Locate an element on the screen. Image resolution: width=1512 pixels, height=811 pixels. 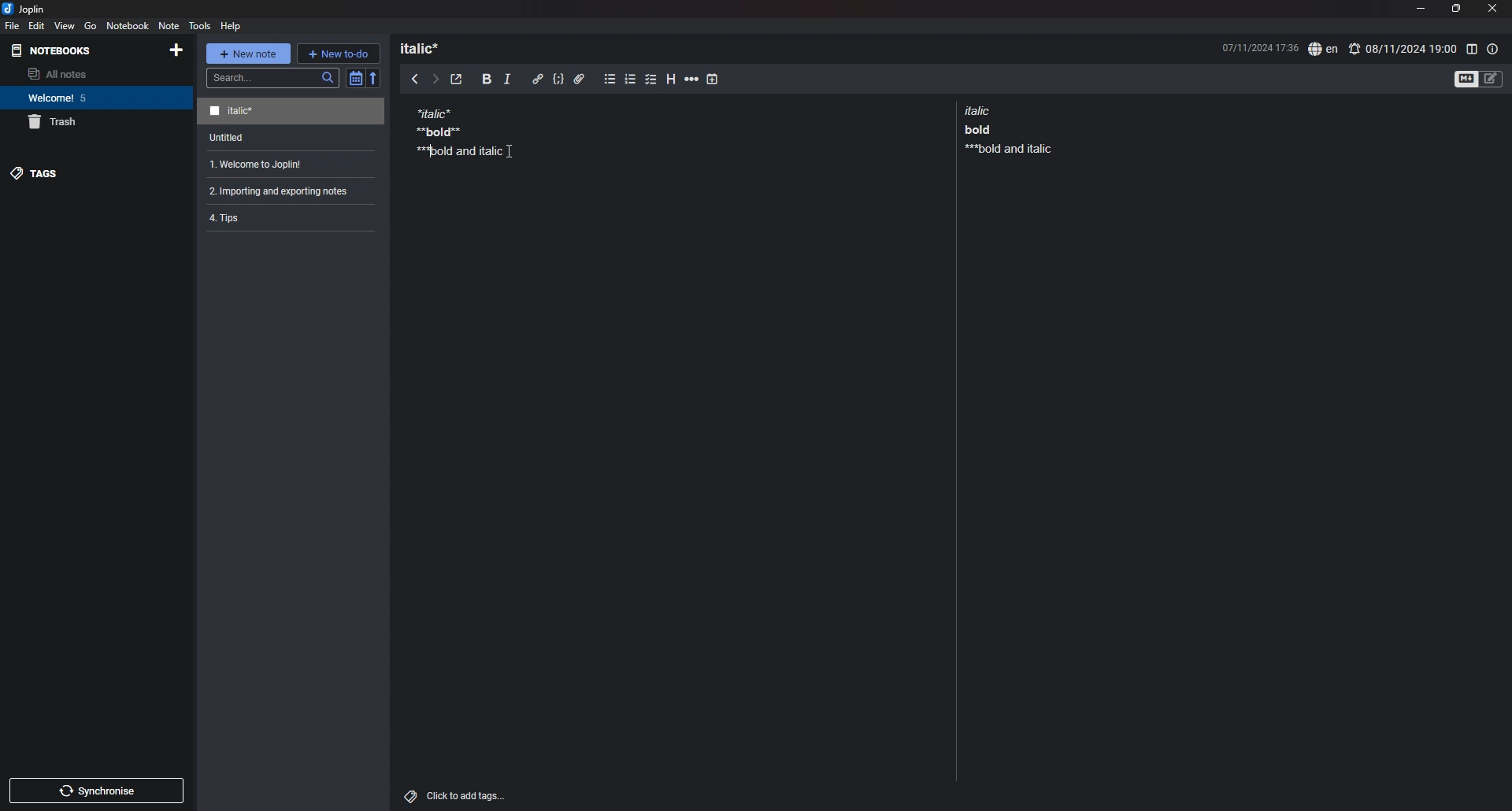
notebook is located at coordinates (128, 25).